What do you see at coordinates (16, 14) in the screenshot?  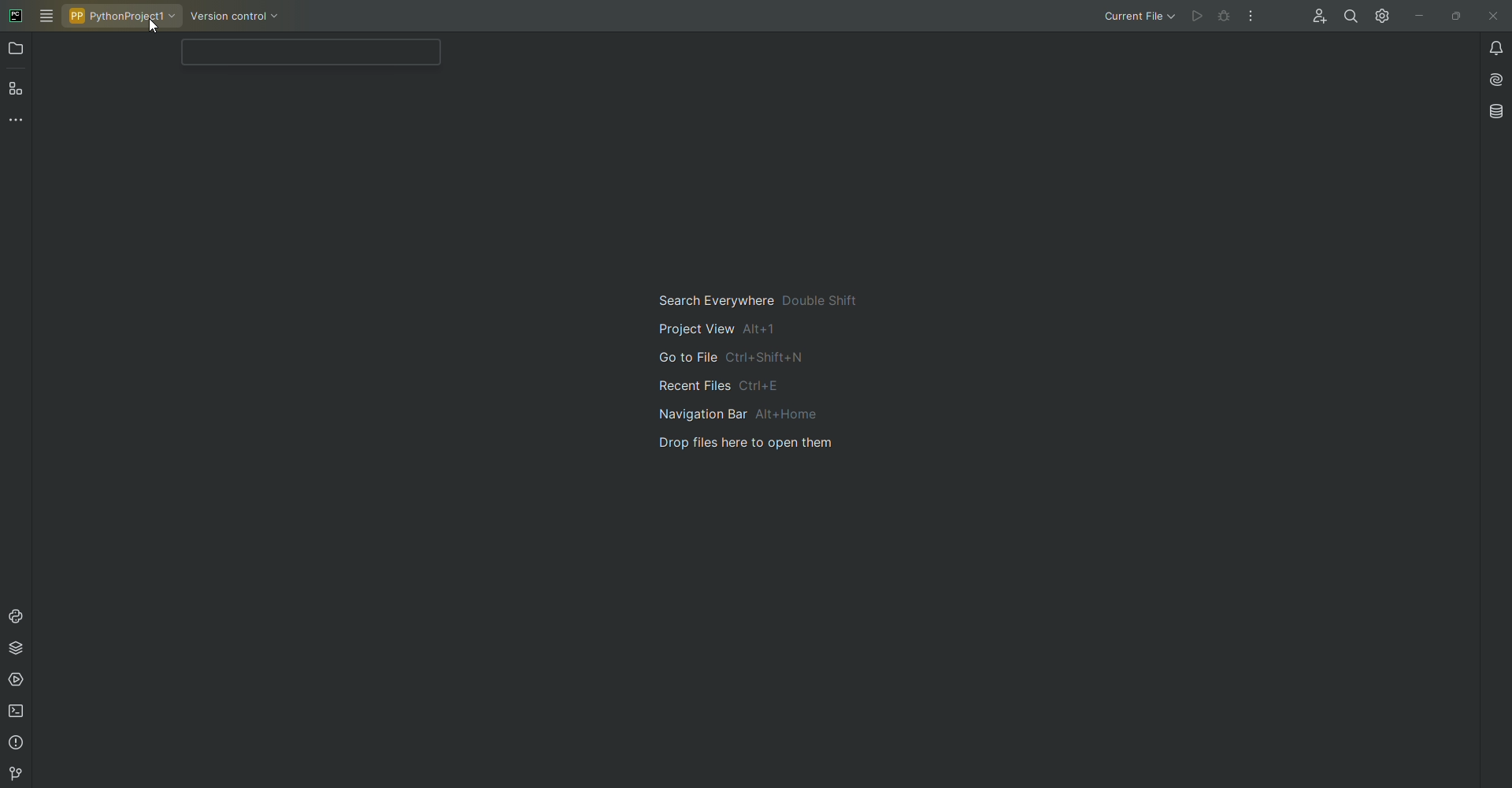 I see `PyCharm` at bounding box center [16, 14].